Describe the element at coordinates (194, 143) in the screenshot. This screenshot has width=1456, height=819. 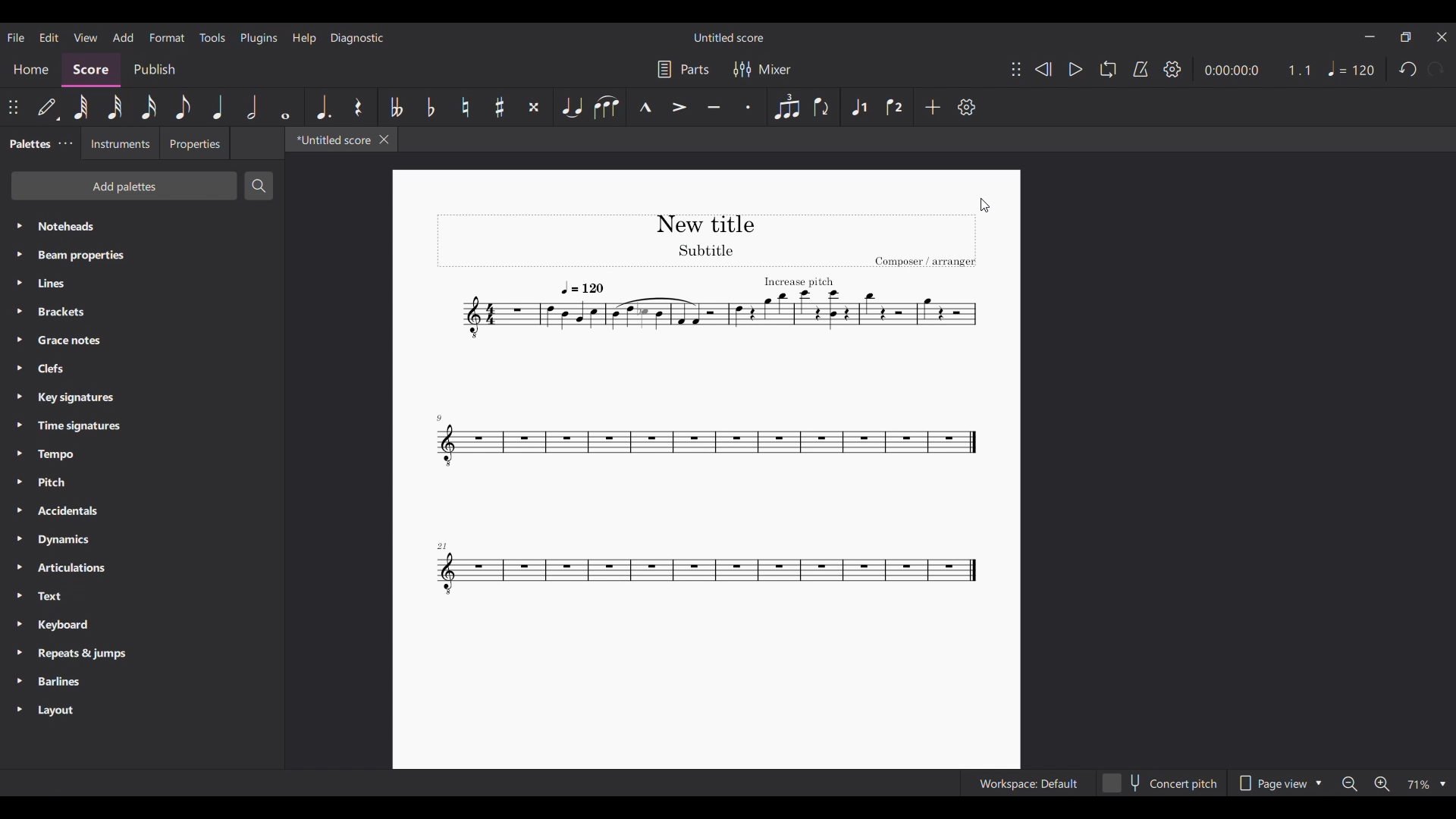
I see `Properties` at that location.